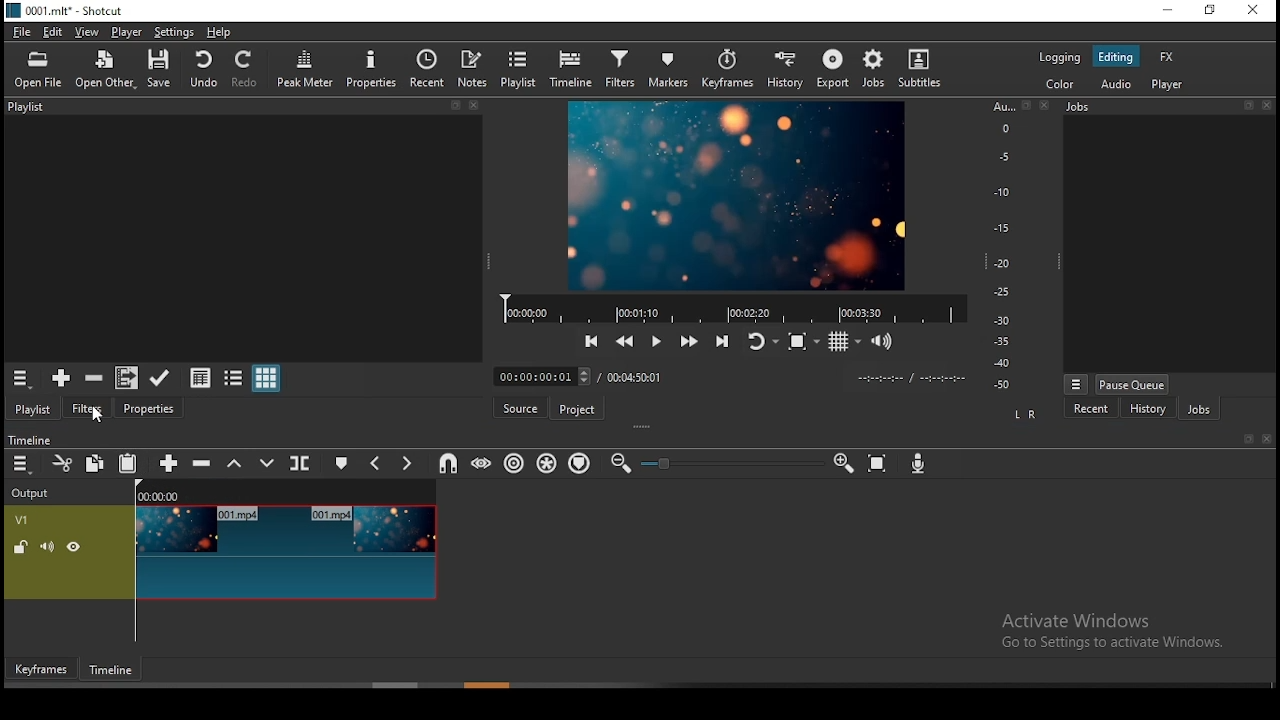 This screenshot has height=720, width=1280. Describe the element at coordinates (127, 464) in the screenshot. I see `paste` at that location.